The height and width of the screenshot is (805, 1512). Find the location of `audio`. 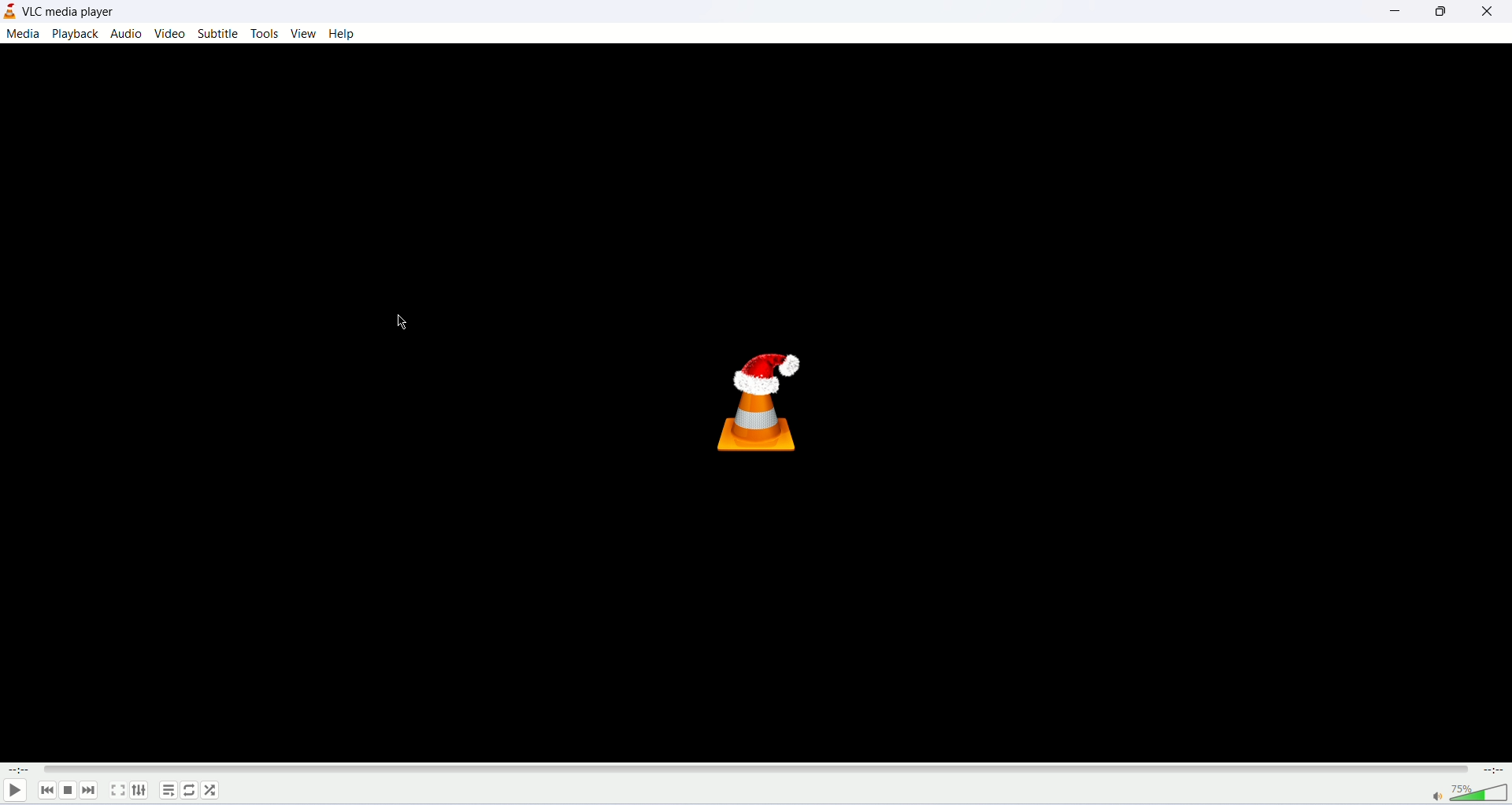

audio is located at coordinates (126, 33).